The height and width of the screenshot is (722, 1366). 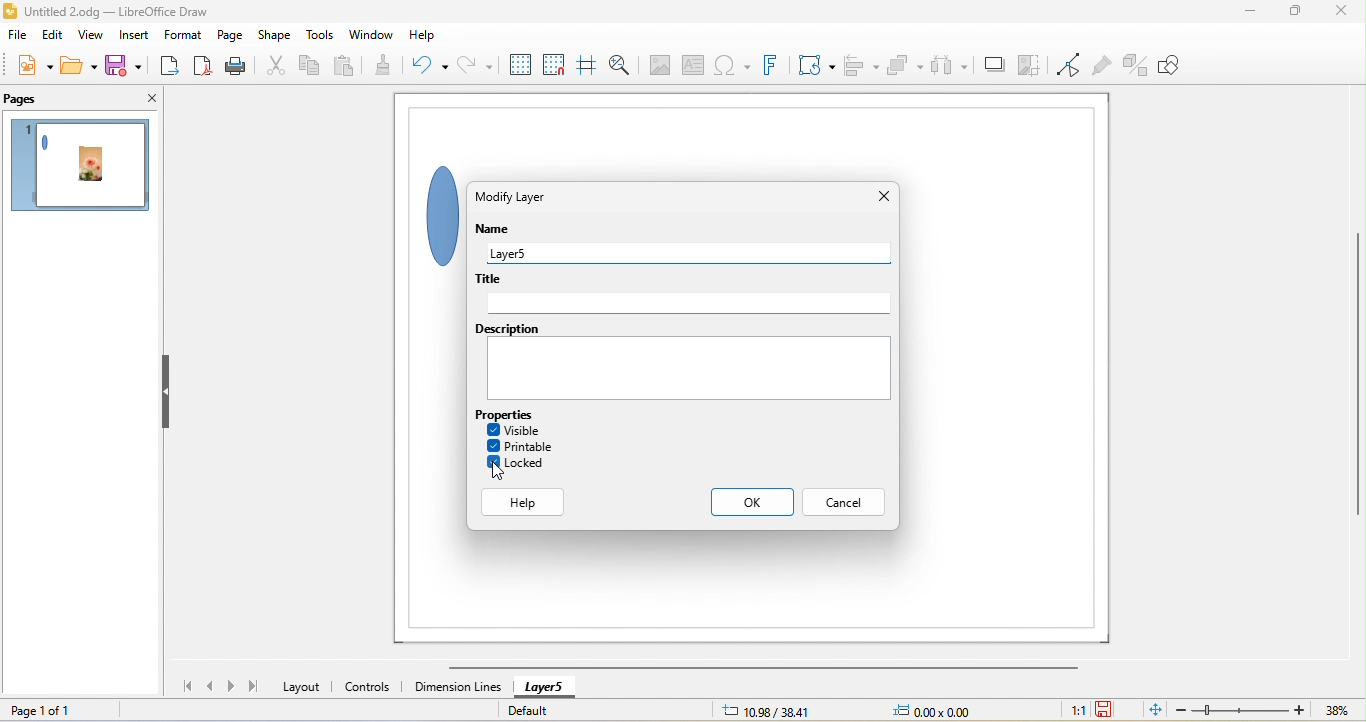 What do you see at coordinates (207, 67) in the screenshot?
I see `export direct as pdf` at bounding box center [207, 67].